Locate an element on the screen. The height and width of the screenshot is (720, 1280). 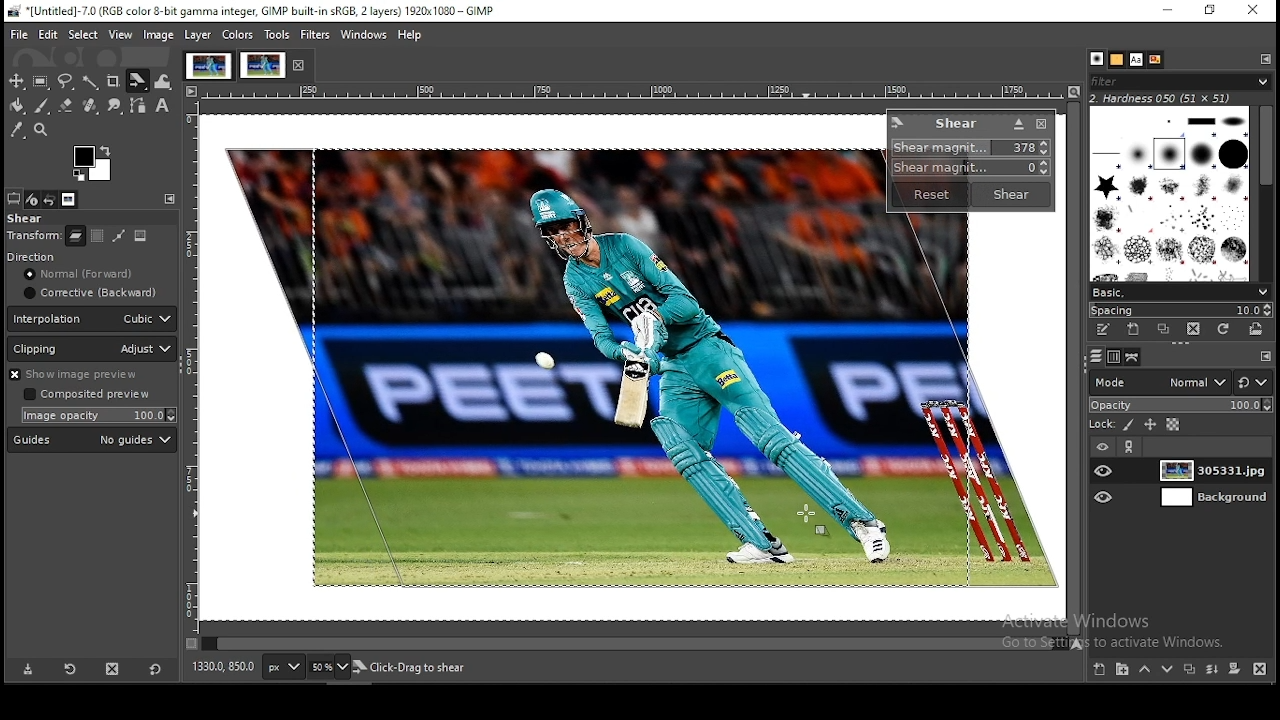
warp transform is located at coordinates (167, 82).